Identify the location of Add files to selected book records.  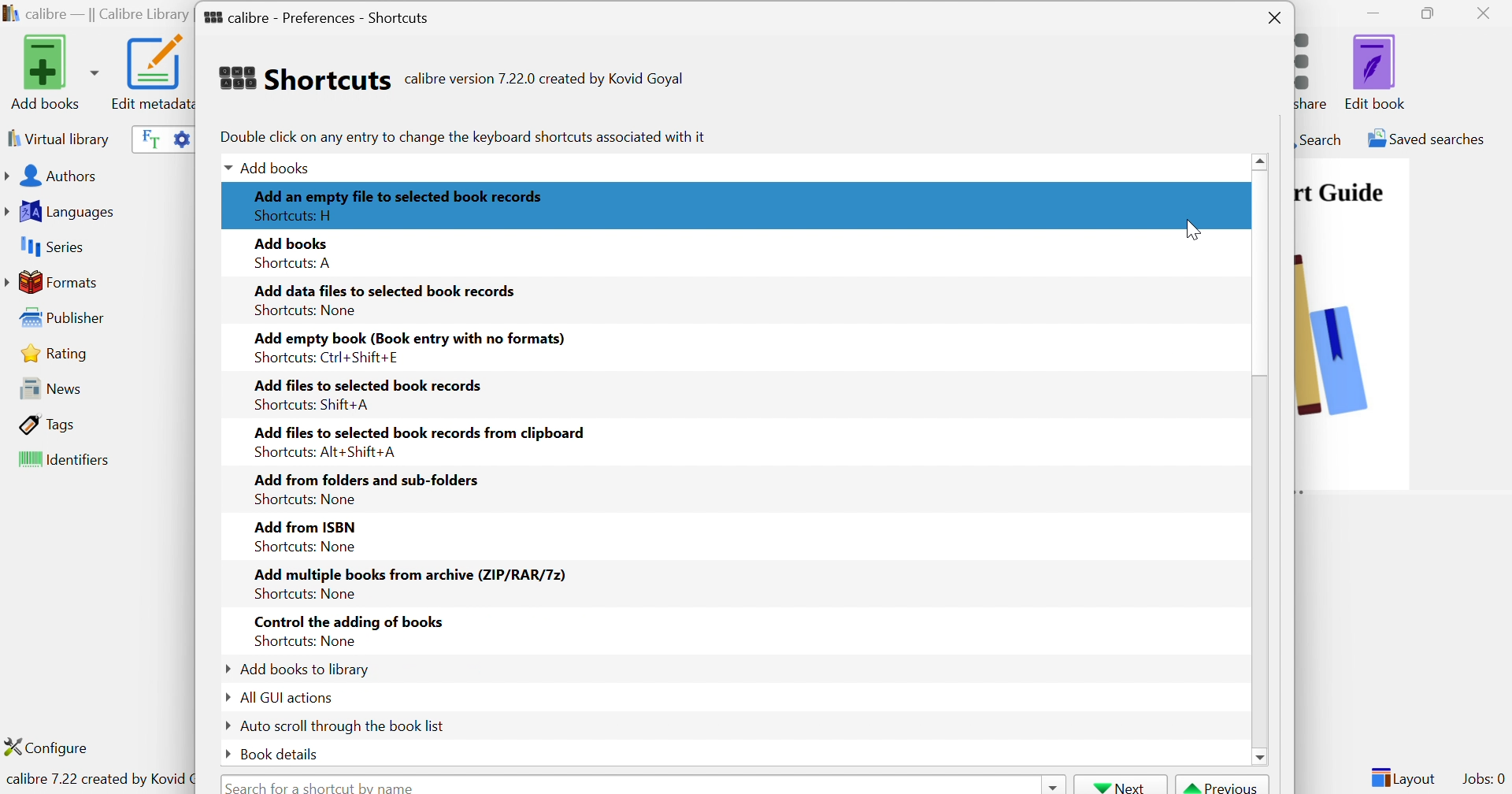
(371, 382).